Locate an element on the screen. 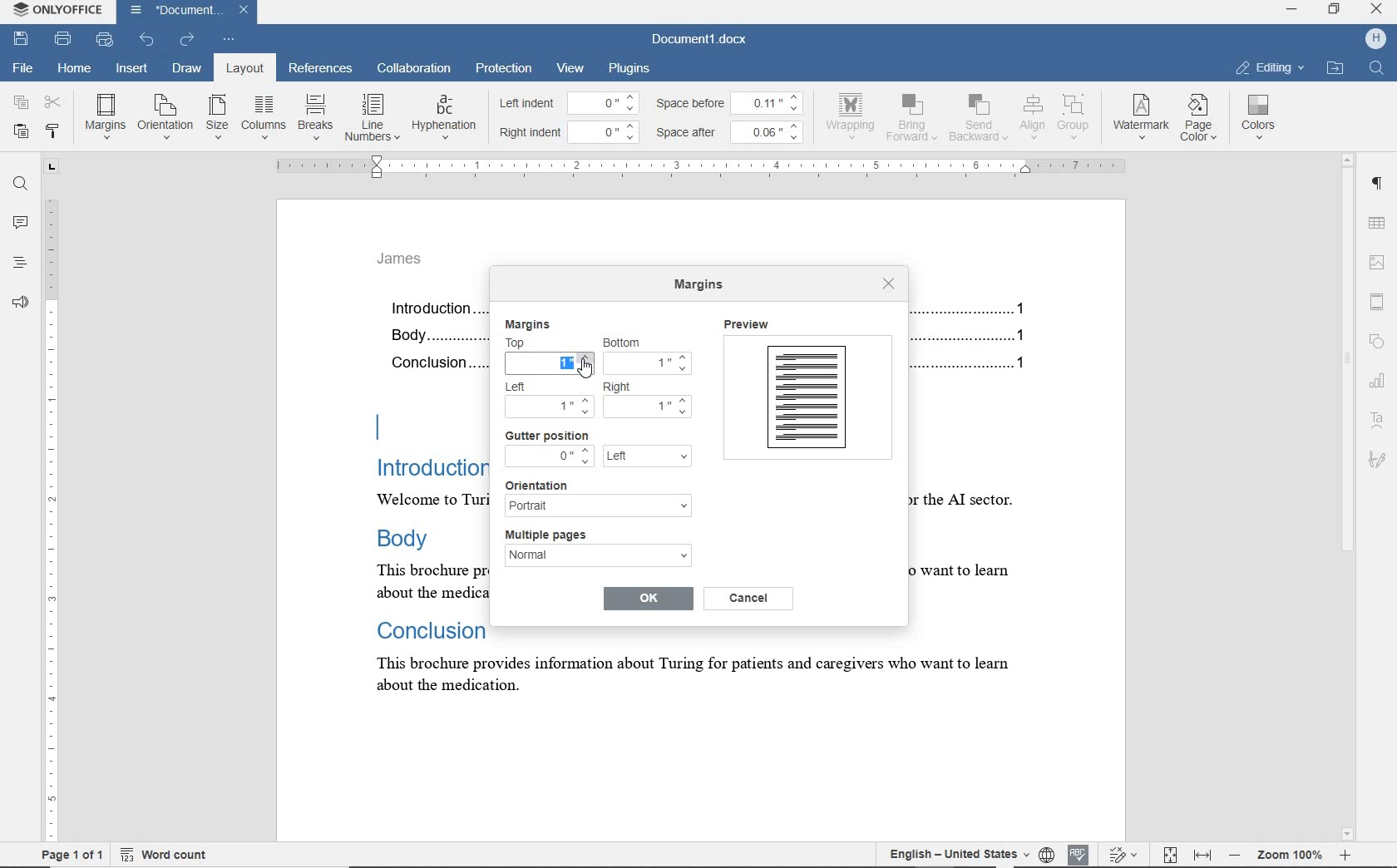 Image resolution: width=1397 pixels, height=868 pixels. close is located at coordinates (249, 8).